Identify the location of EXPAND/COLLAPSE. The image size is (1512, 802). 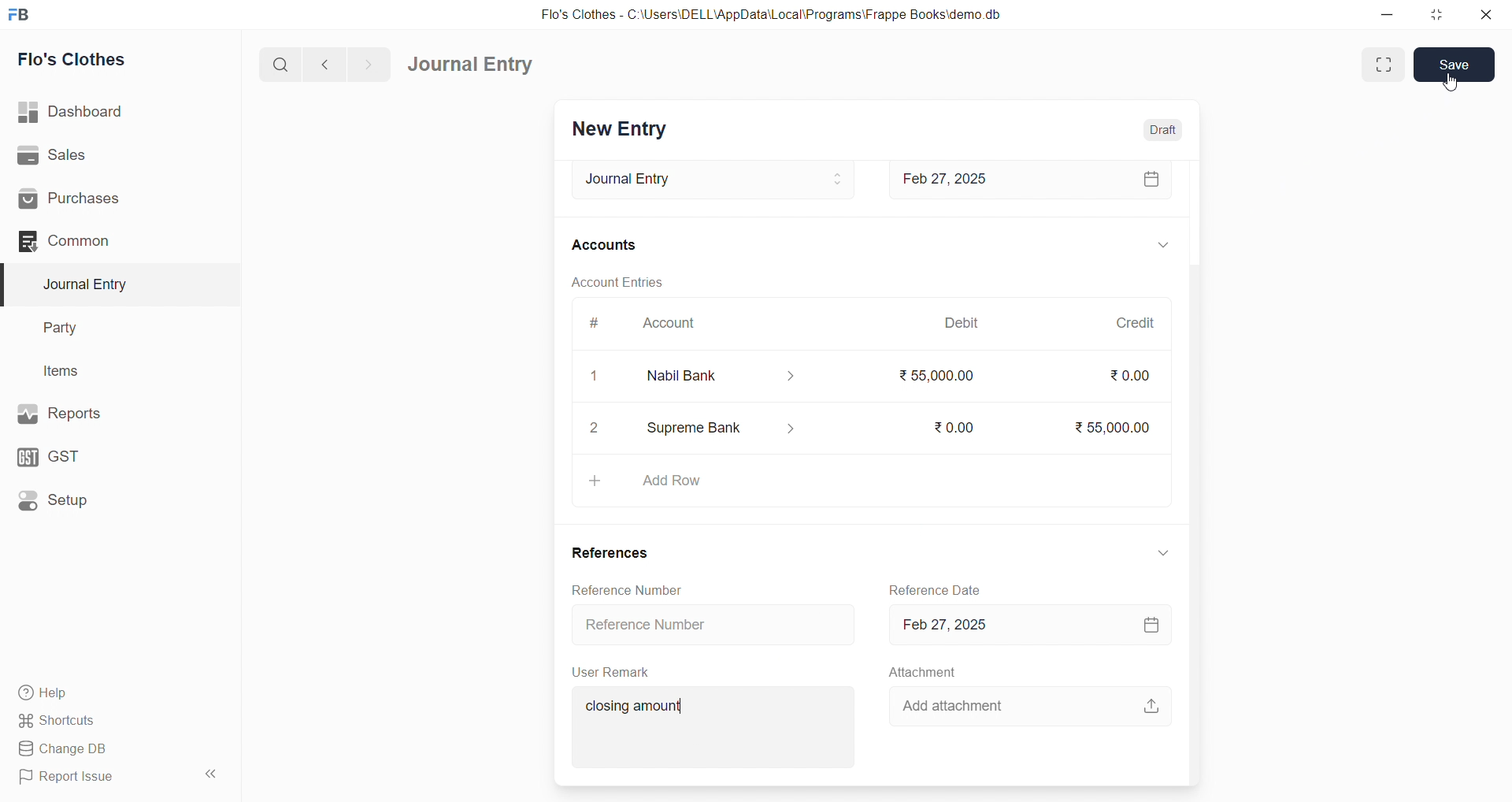
(1162, 247).